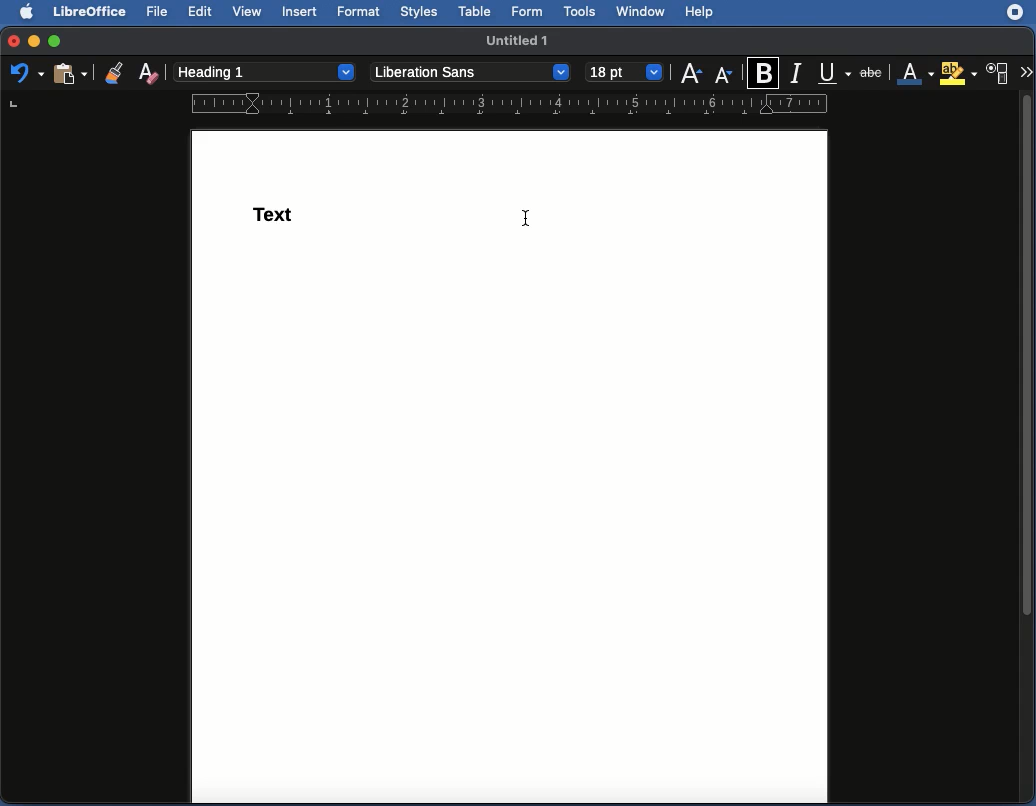  I want to click on Name, so click(519, 41).